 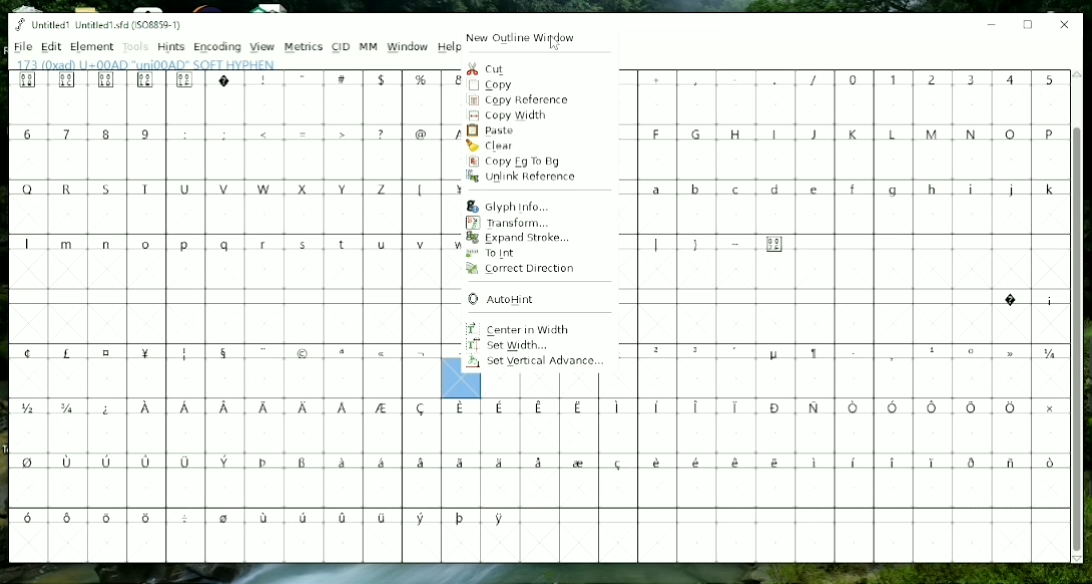 I want to click on Symbols, so click(x=855, y=352).